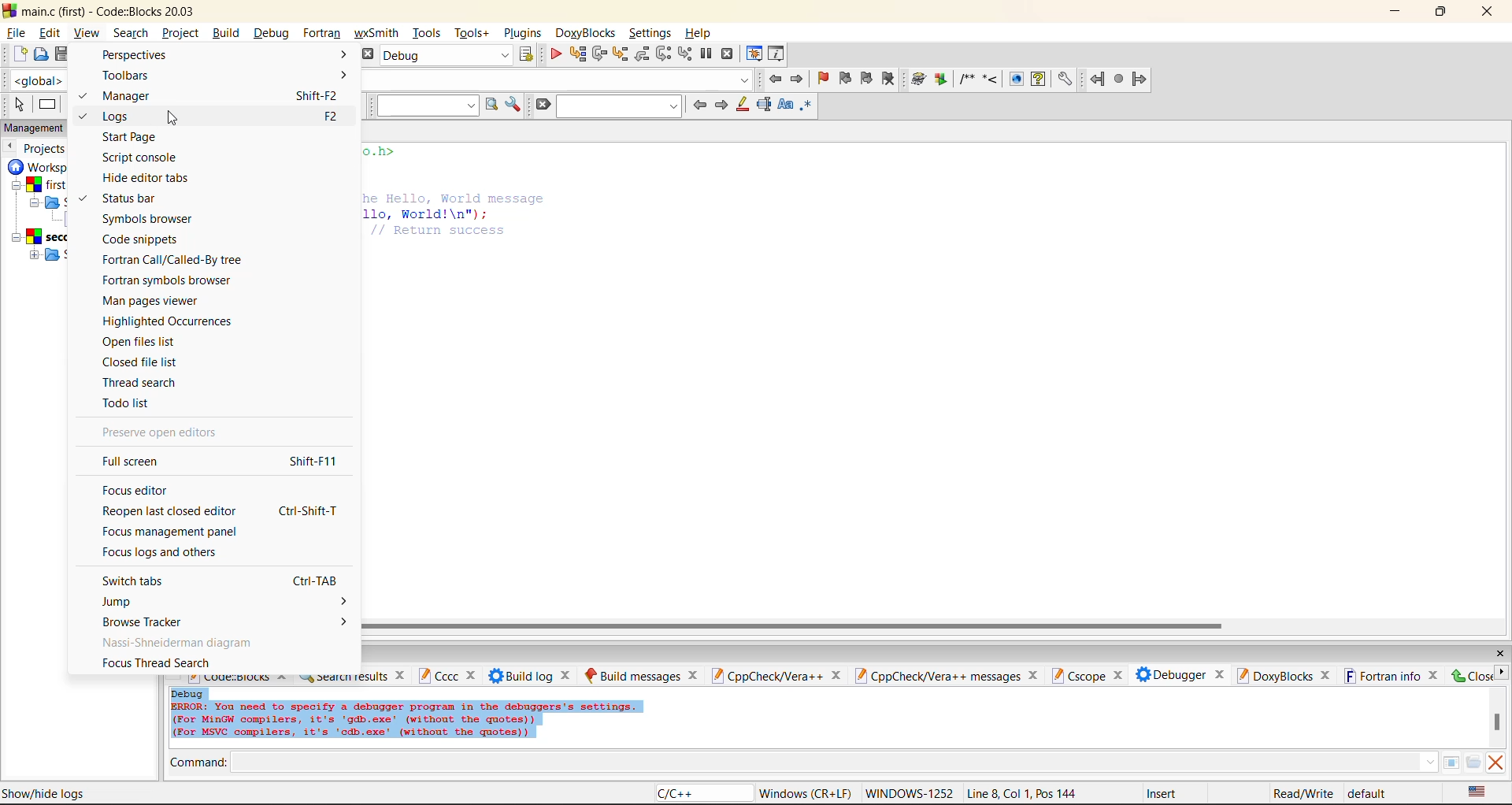 The height and width of the screenshot is (805, 1512). Describe the element at coordinates (18, 105) in the screenshot. I see `select` at that location.